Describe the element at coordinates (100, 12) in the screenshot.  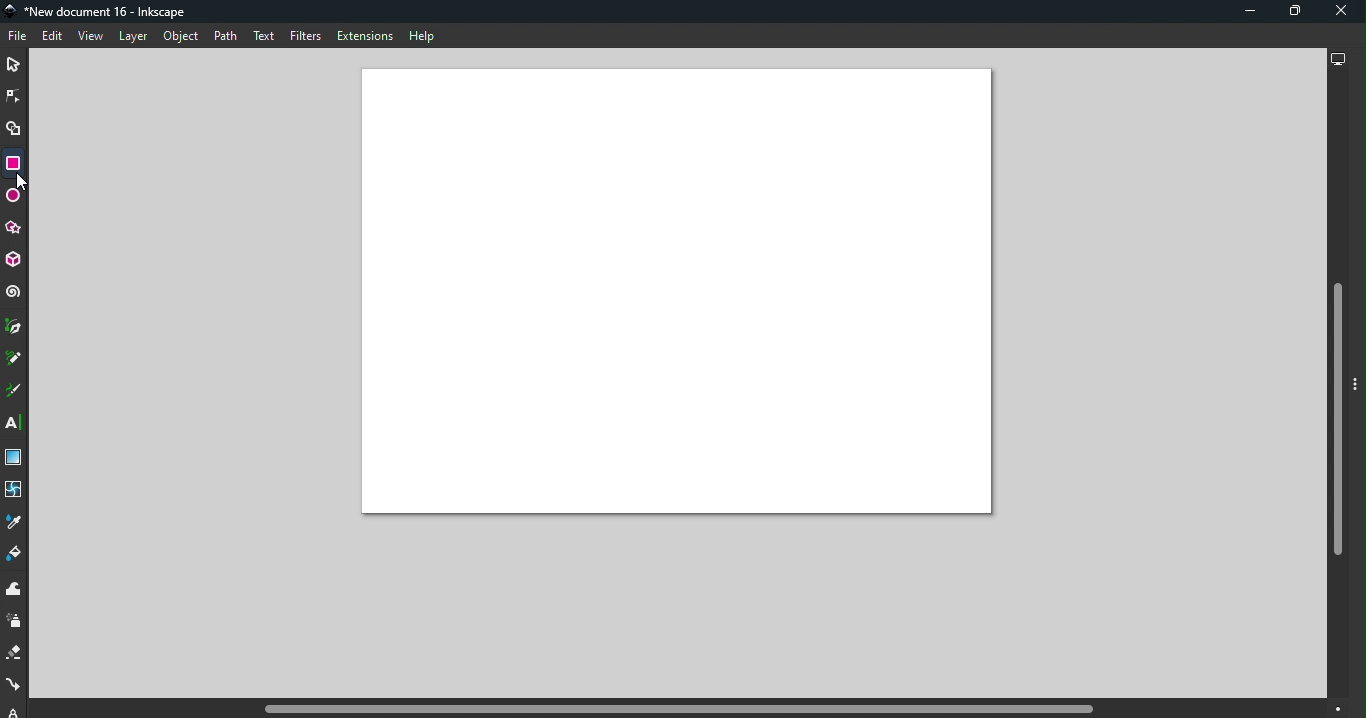
I see `Document name` at that location.